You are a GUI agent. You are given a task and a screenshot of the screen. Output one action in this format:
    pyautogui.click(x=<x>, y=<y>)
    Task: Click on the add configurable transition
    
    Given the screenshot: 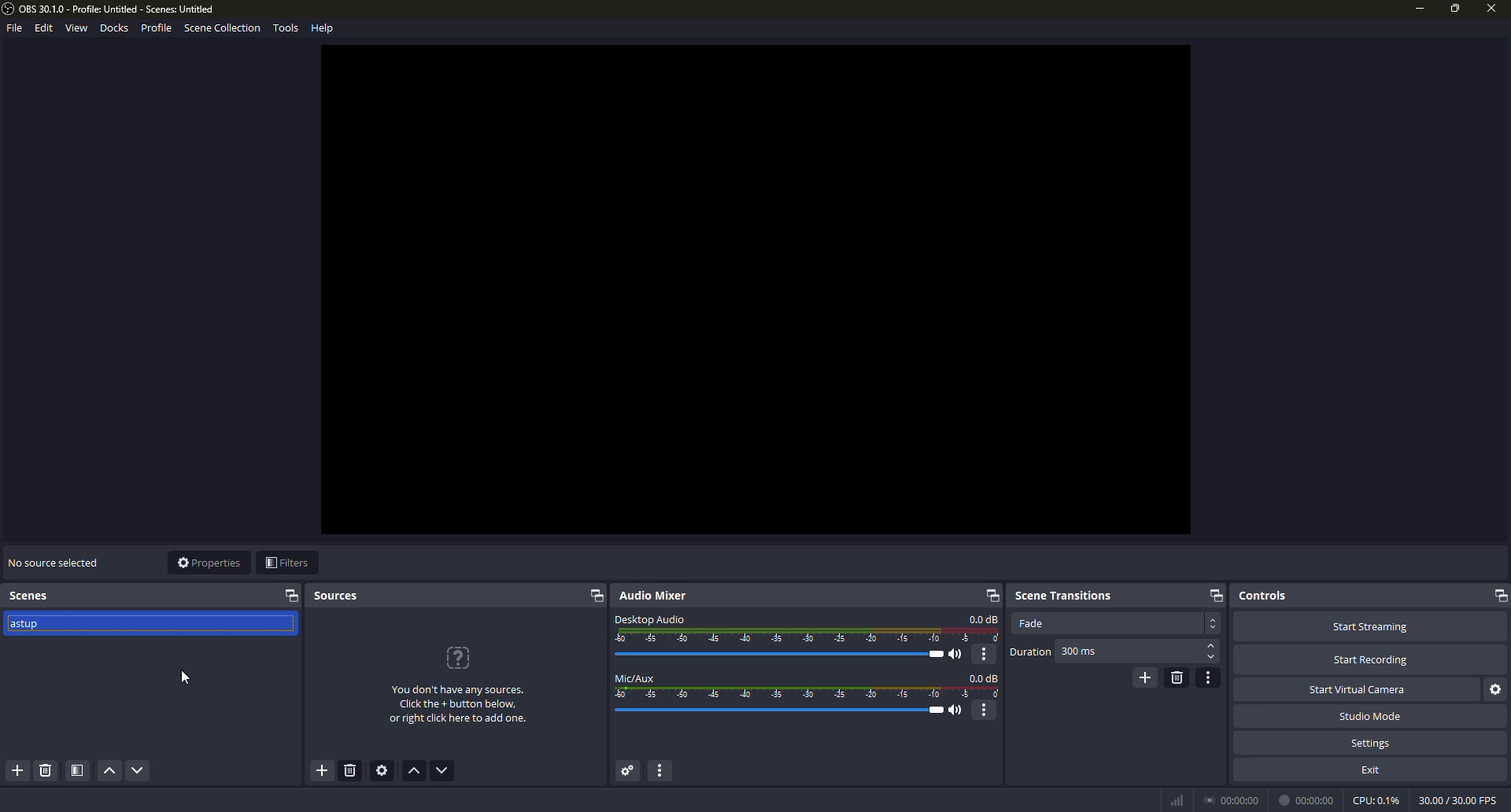 What is the action you would take?
    pyautogui.click(x=1143, y=677)
    